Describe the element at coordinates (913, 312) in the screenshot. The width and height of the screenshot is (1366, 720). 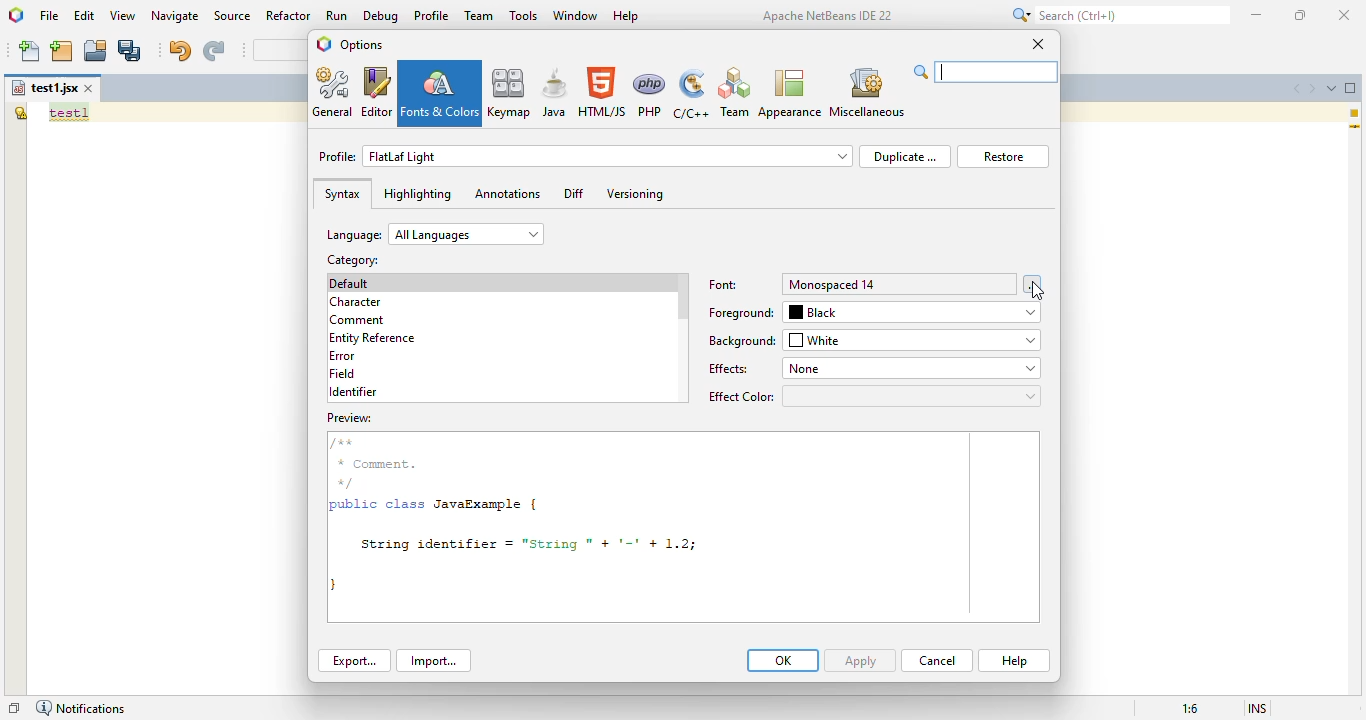
I see `black` at that location.